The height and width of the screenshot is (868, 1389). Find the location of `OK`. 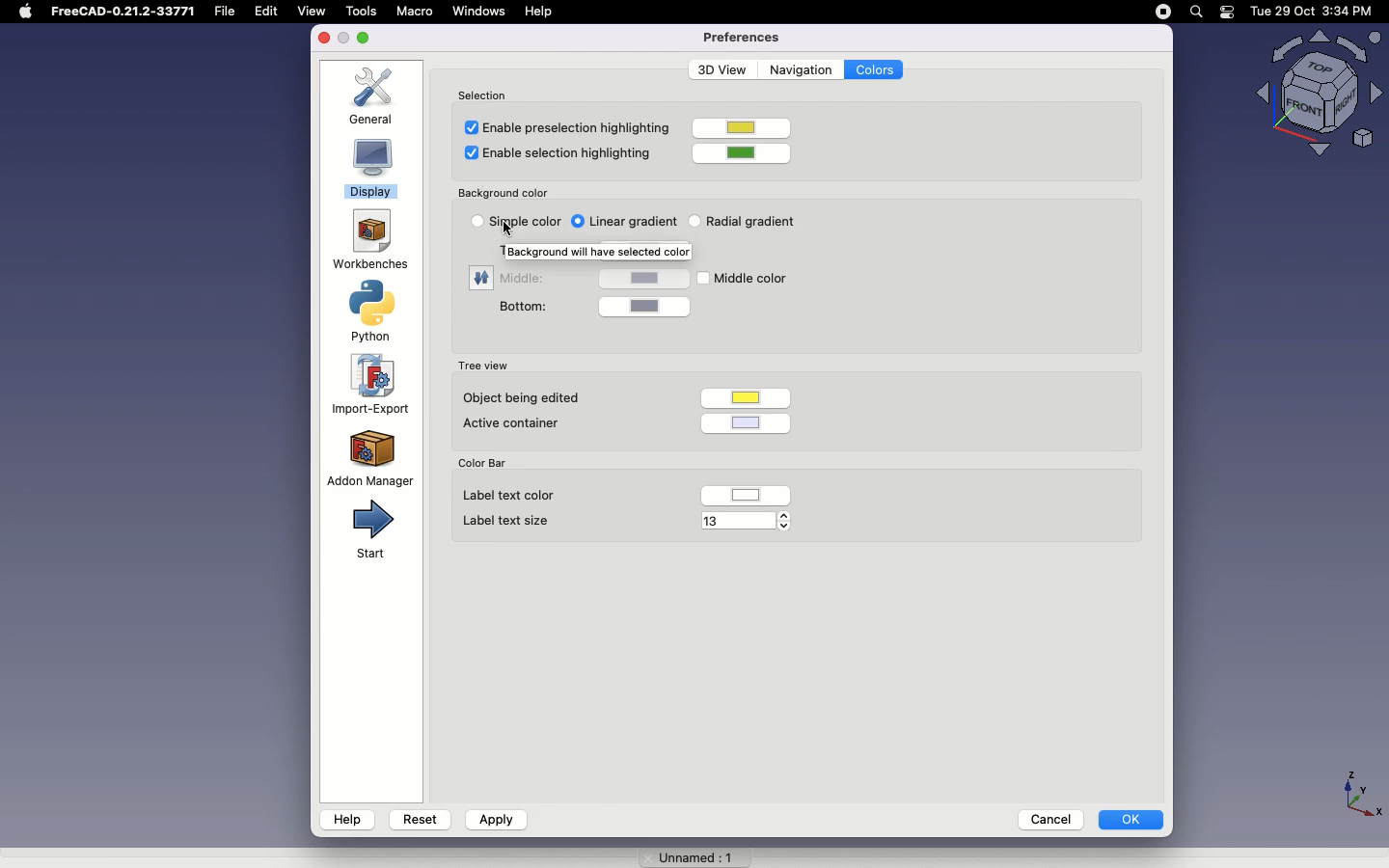

OK is located at coordinates (1132, 819).